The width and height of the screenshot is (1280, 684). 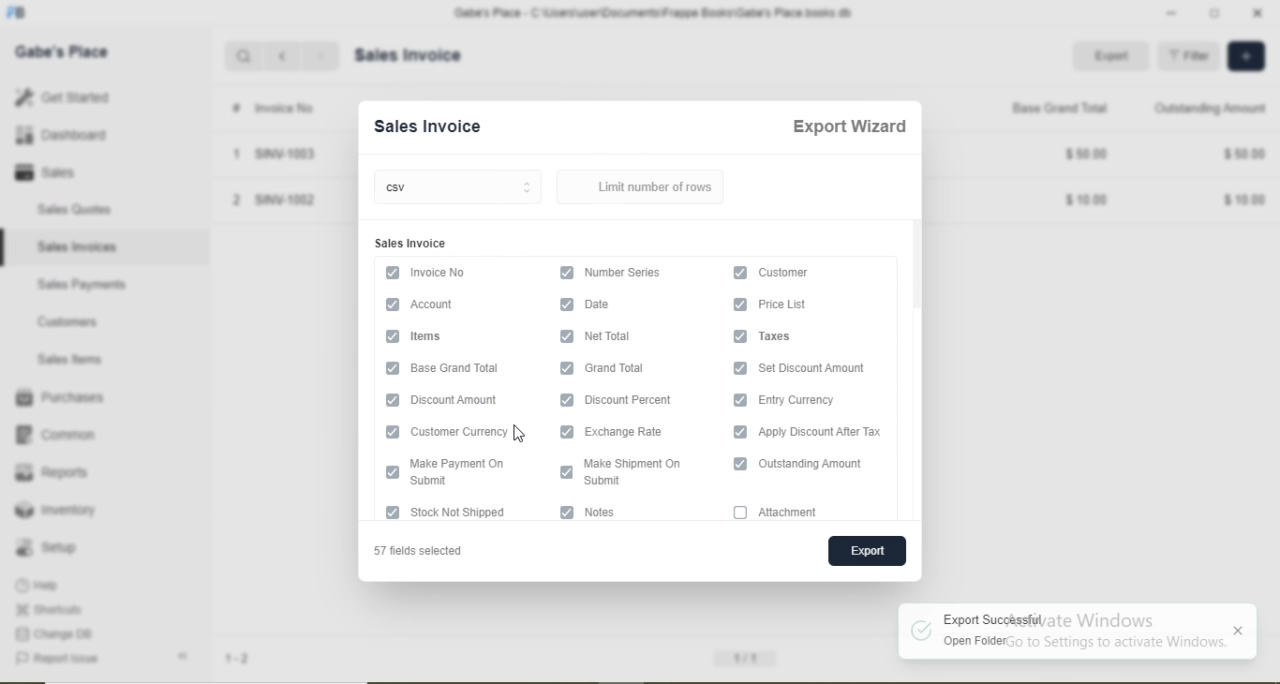 I want to click on Shortcuts, so click(x=55, y=610).